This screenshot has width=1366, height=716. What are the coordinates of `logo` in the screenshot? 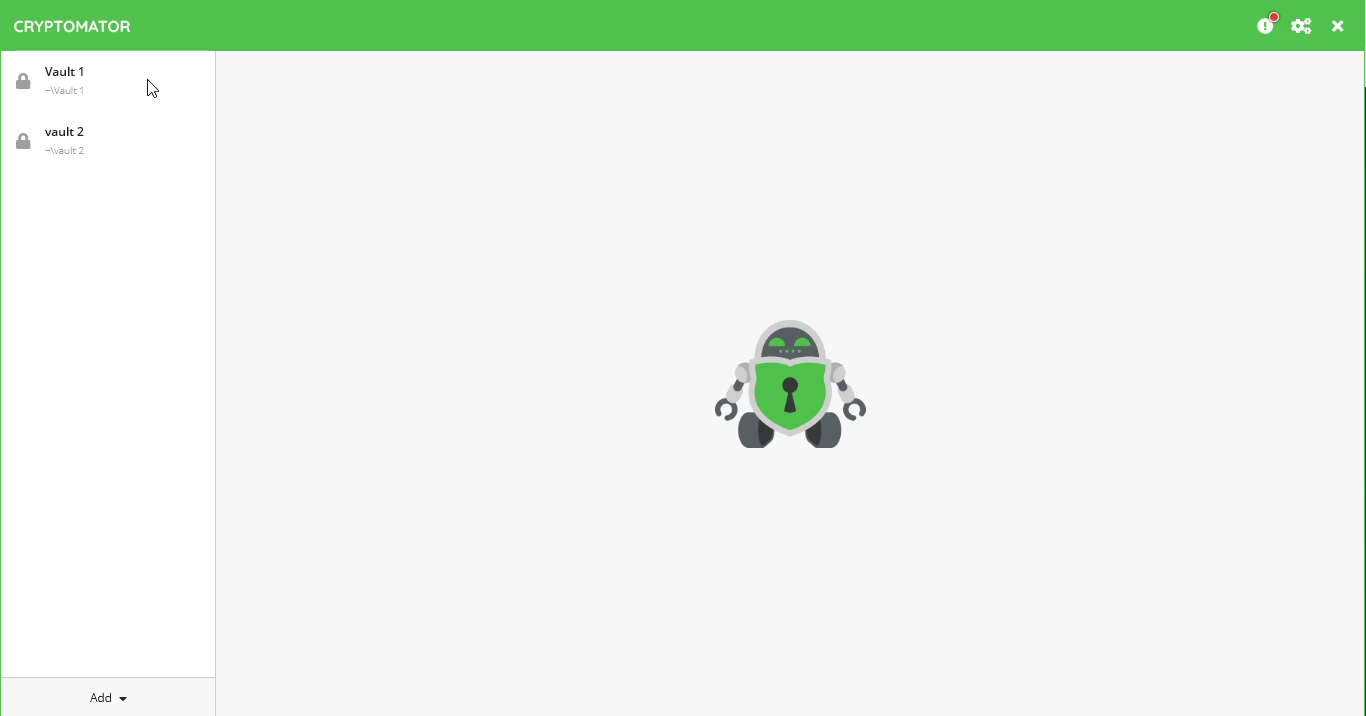 It's located at (791, 383).